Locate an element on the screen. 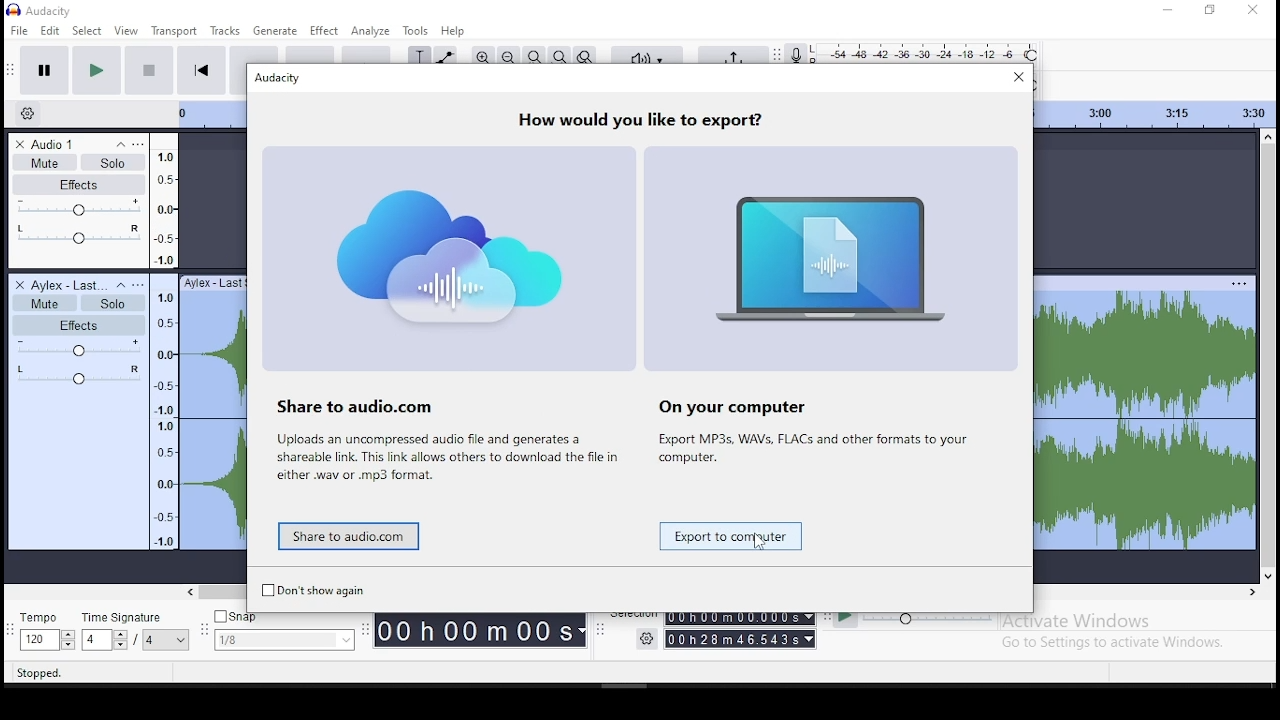  play at speed is located at coordinates (845, 620).